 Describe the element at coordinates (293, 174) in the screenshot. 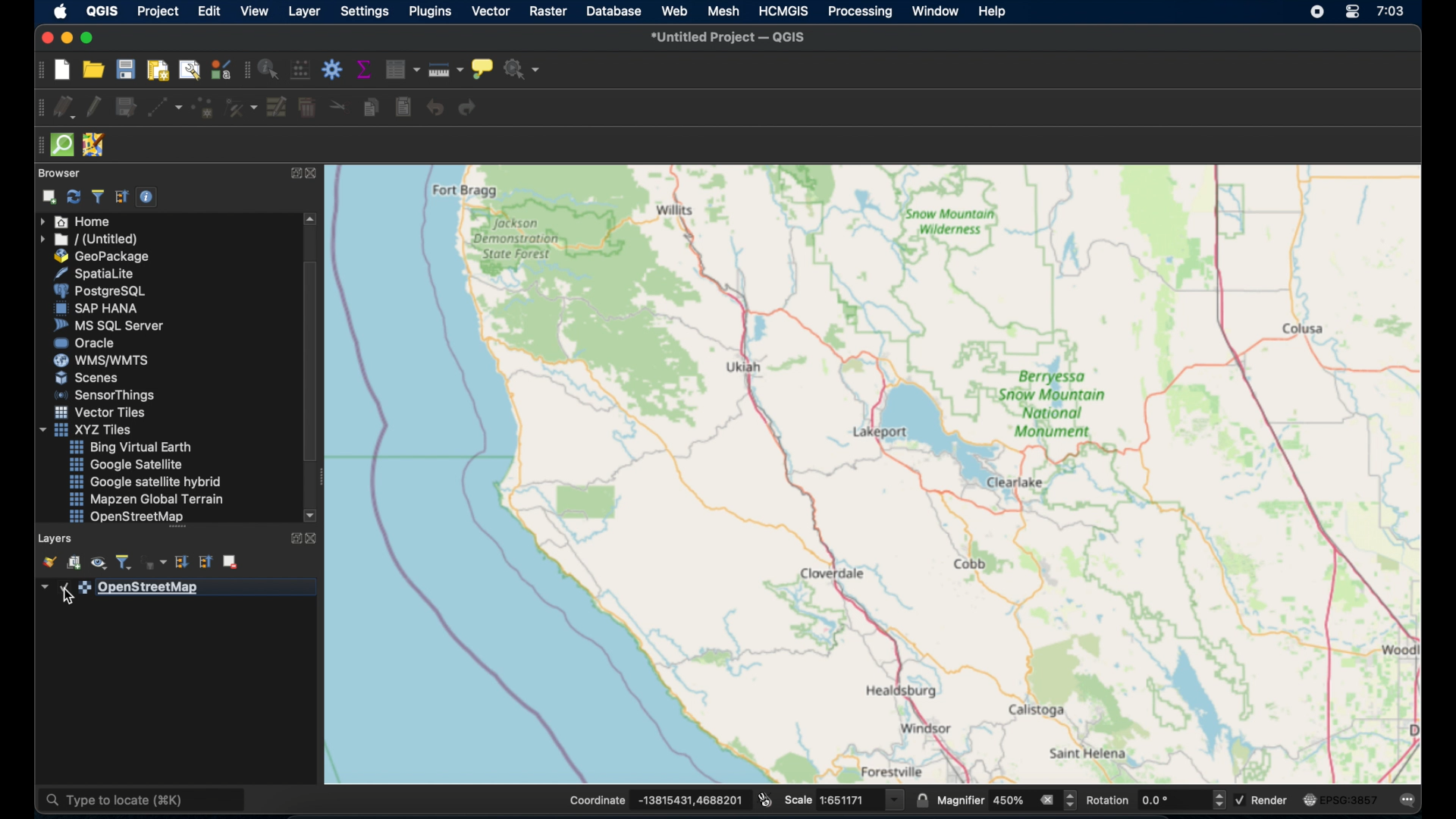

I see `expand` at that location.